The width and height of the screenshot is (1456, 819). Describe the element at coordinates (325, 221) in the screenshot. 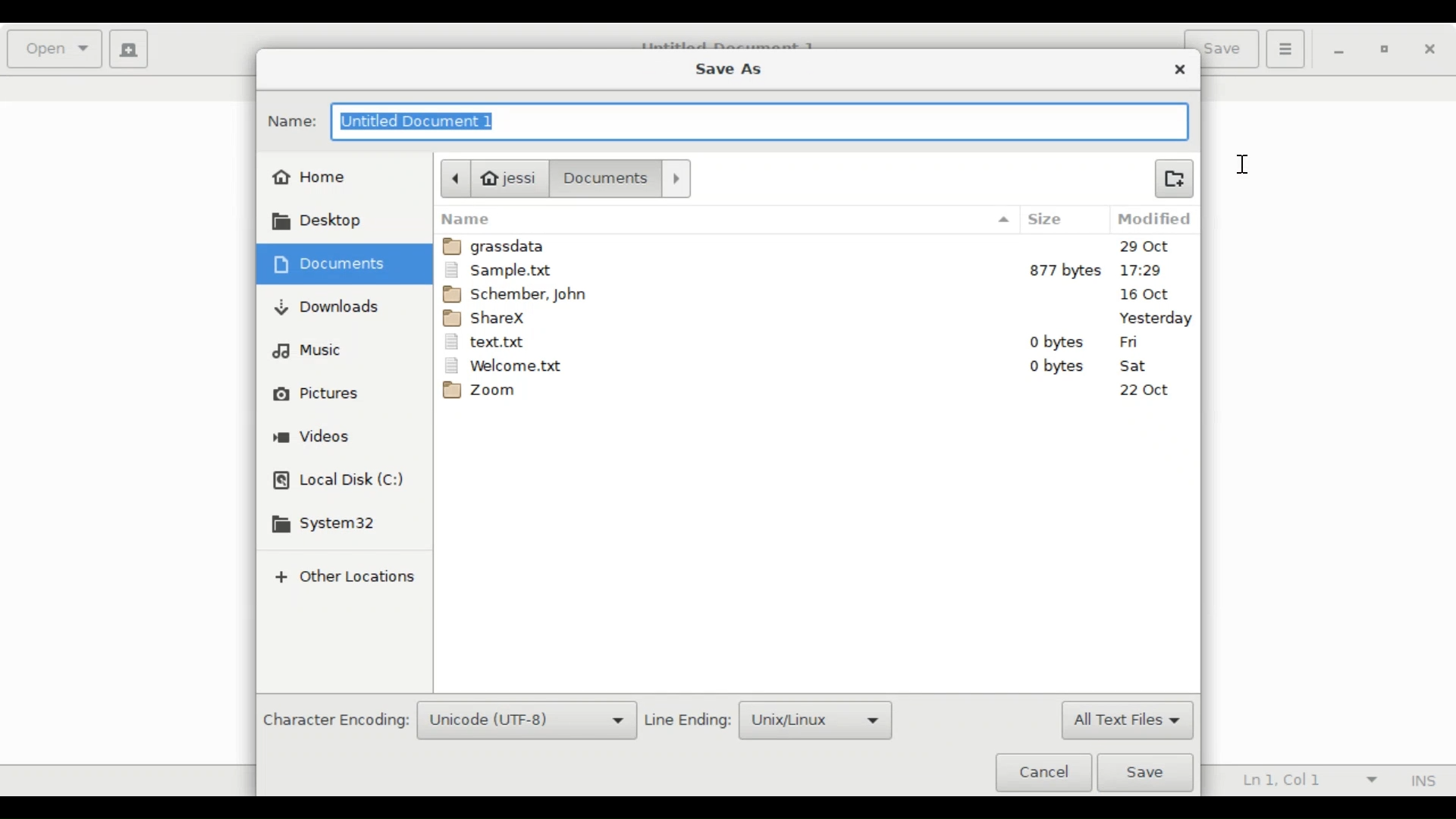

I see `Desktop` at that location.